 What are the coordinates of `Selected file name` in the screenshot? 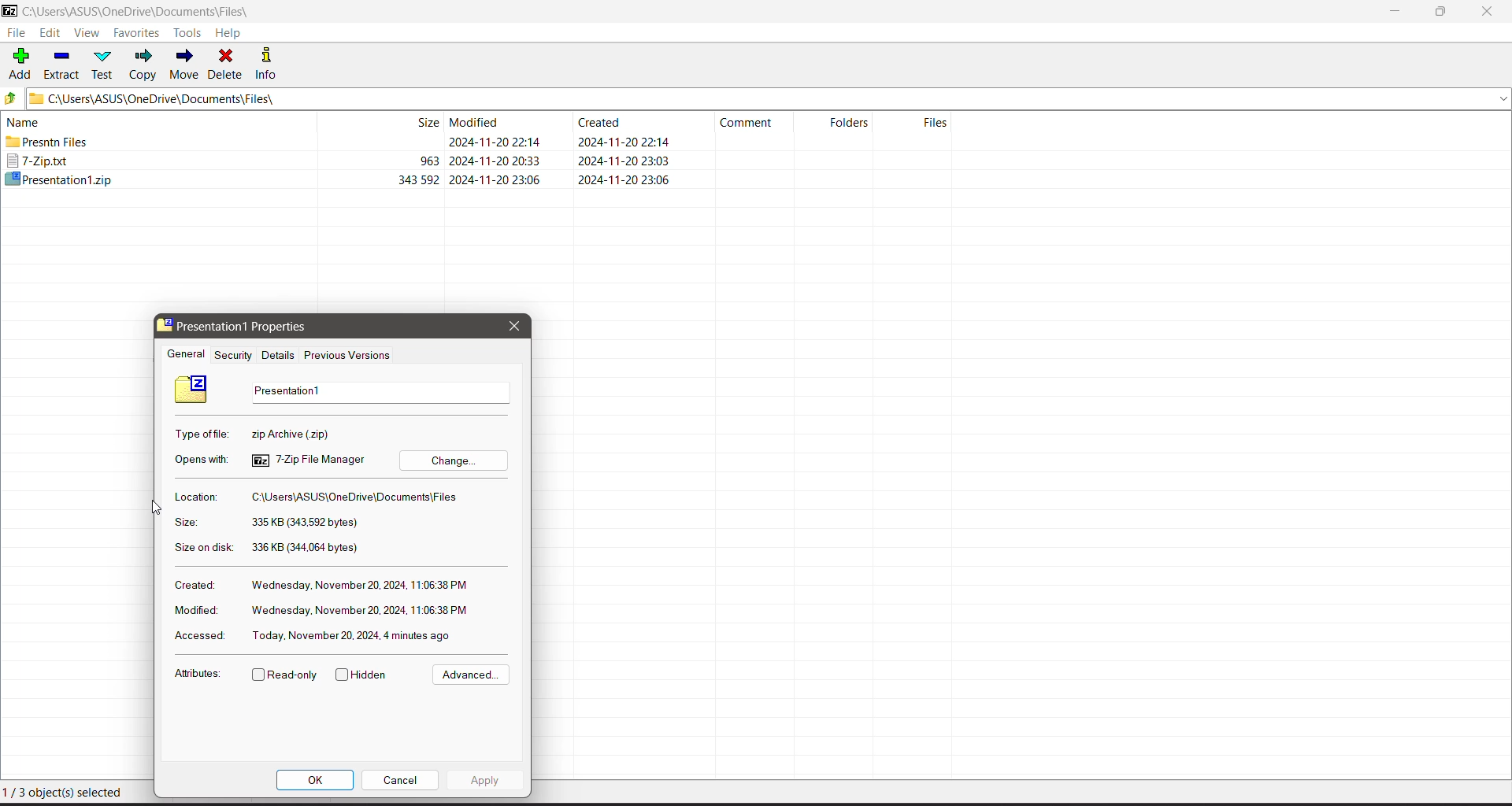 It's located at (379, 393).